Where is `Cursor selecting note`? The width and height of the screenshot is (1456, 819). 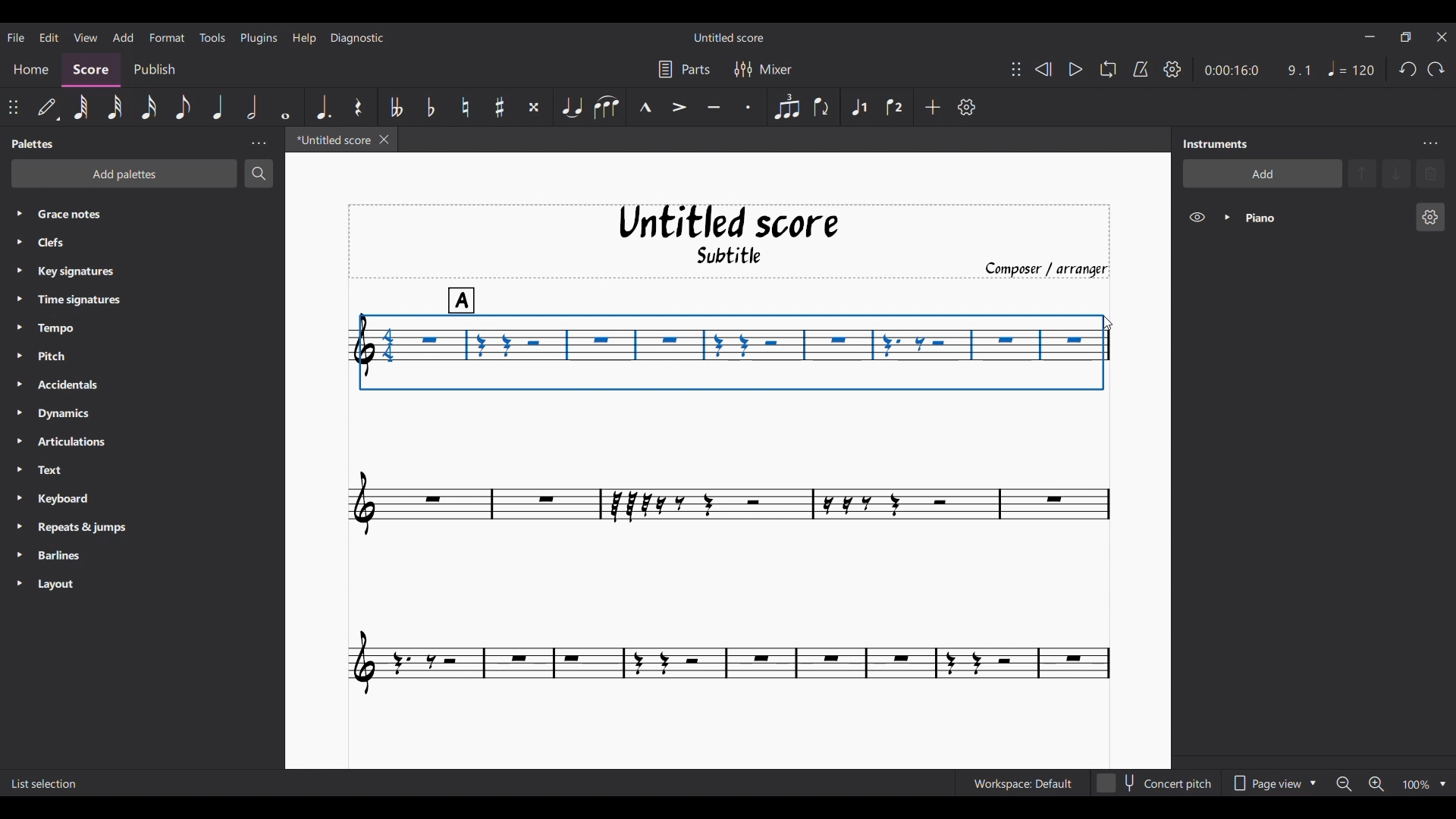 Cursor selecting note is located at coordinates (727, 352).